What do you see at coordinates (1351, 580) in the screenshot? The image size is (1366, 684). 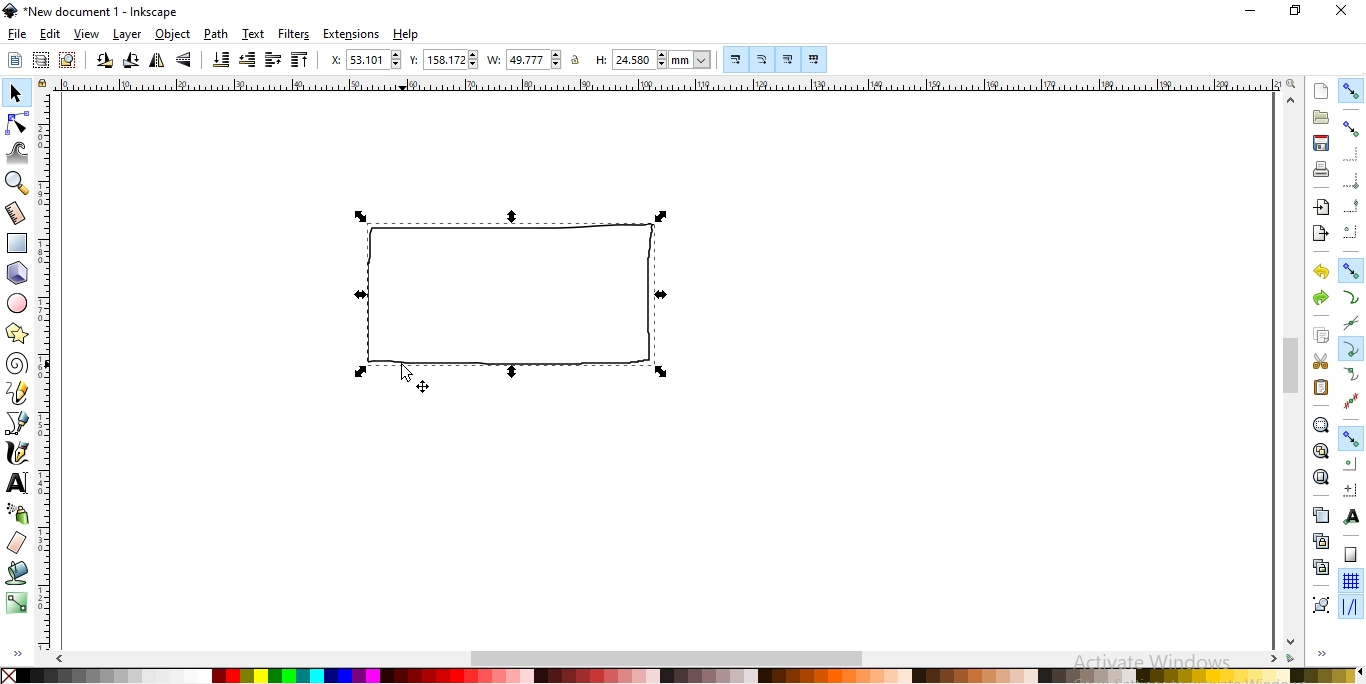 I see `snap to grids` at bounding box center [1351, 580].